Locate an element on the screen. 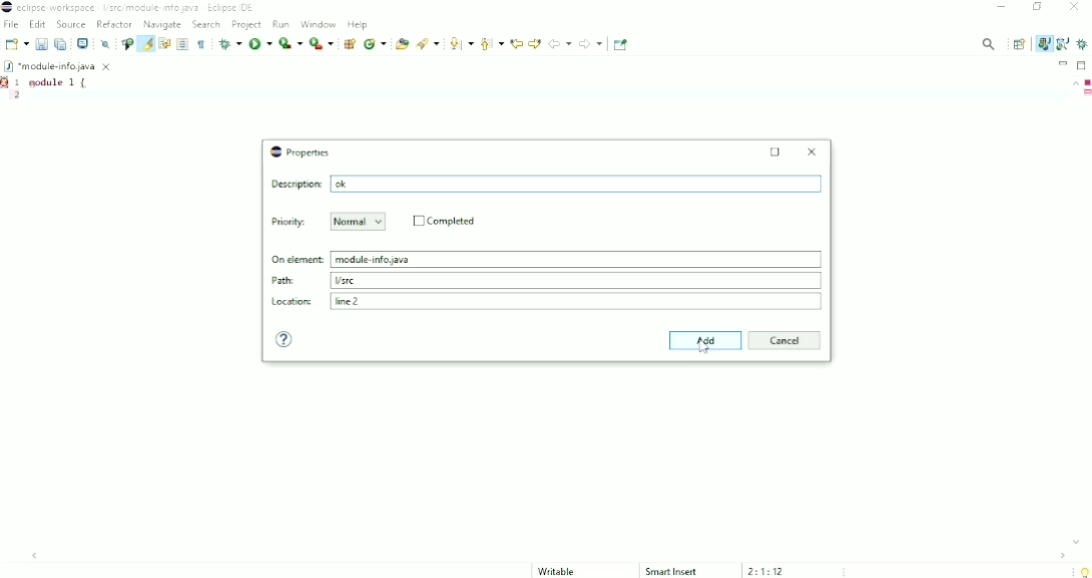 The width and height of the screenshot is (1092, 578). *module-info.java is located at coordinates (59, 66).